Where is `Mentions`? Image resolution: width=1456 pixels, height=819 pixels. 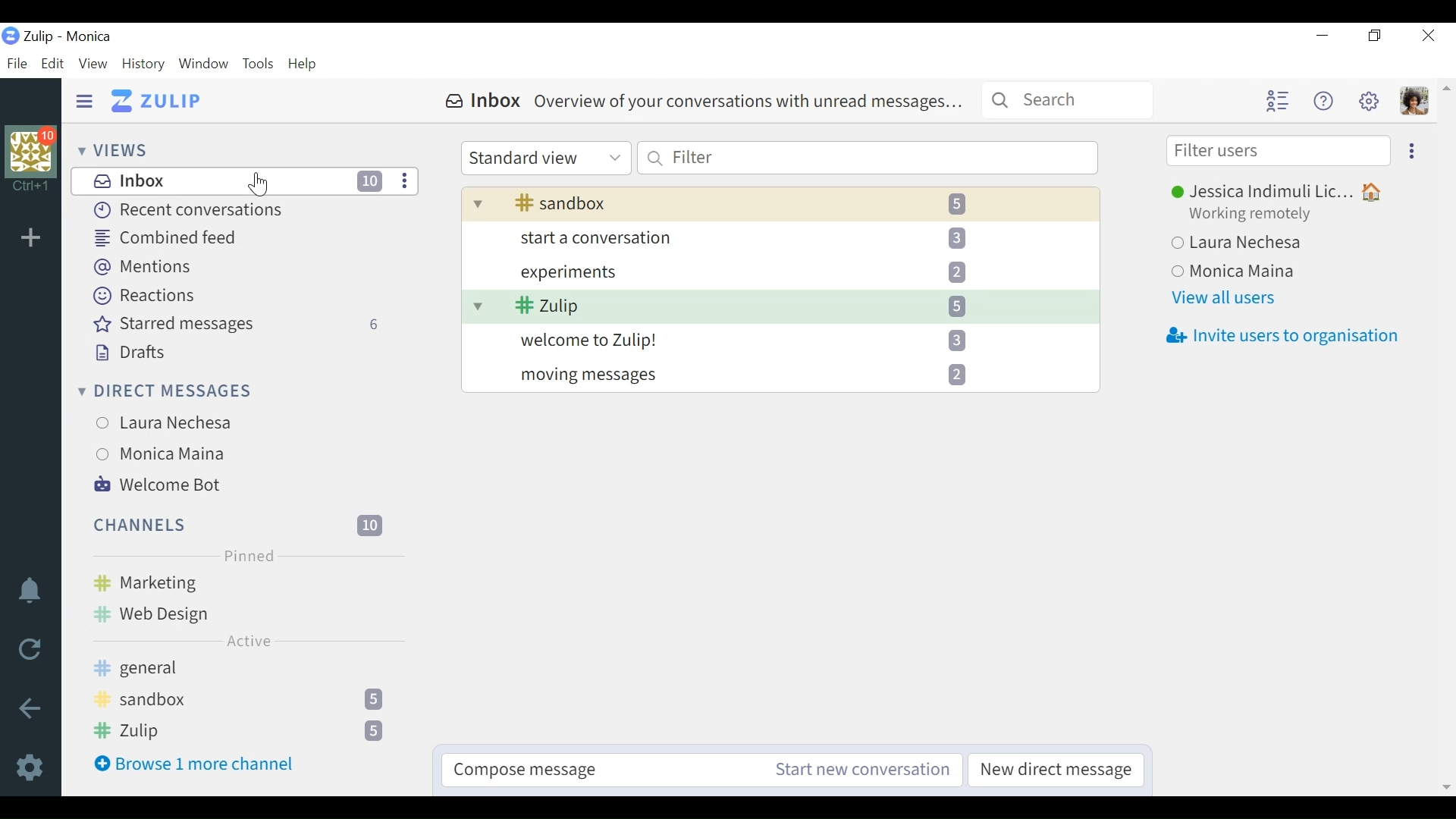 Mentions is located at coordinates (144, 267).